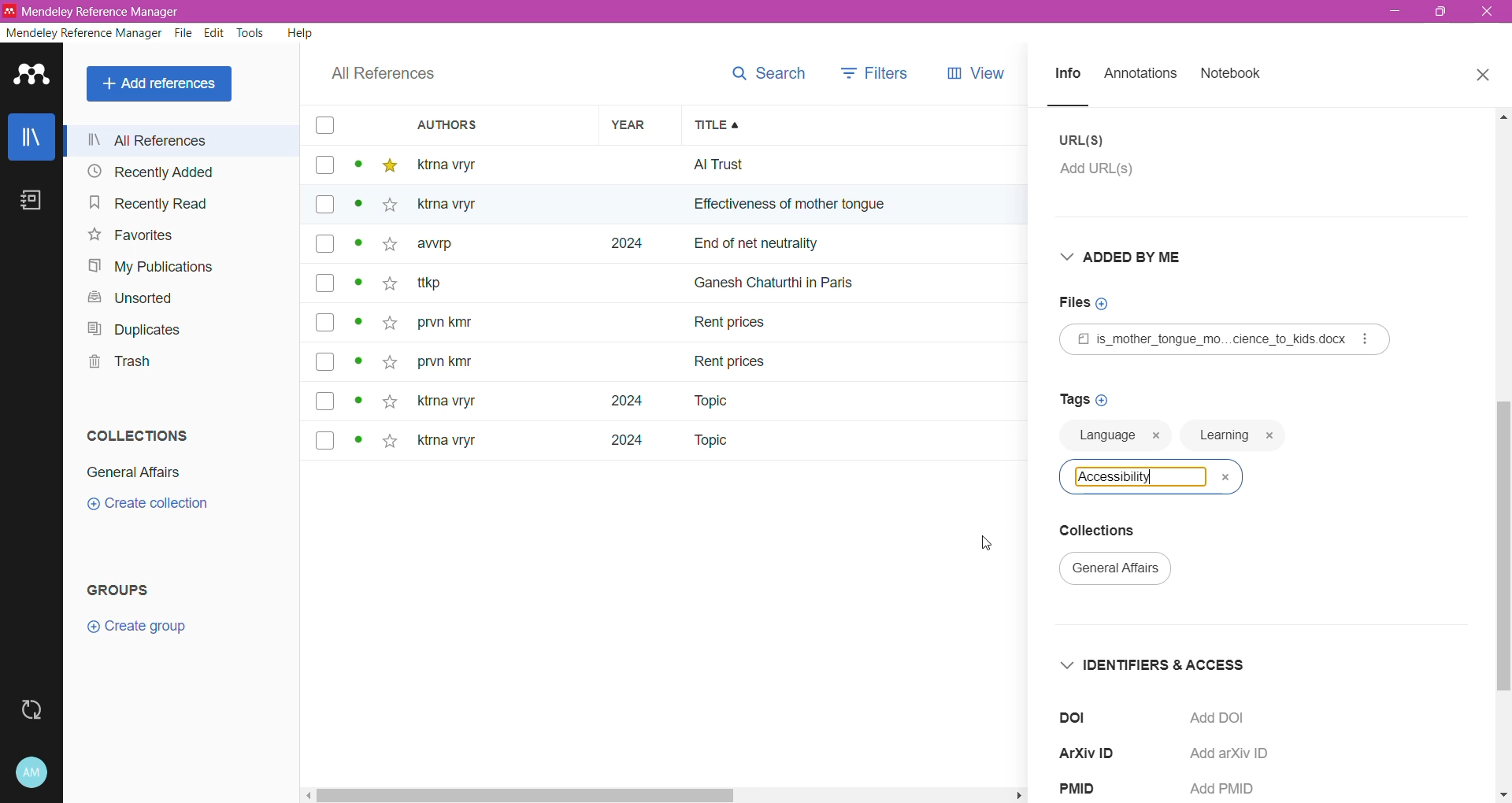  What do you see at coordinates (162, 84) in the screenshot?
I see `All References` at bounding box center [162, 84].